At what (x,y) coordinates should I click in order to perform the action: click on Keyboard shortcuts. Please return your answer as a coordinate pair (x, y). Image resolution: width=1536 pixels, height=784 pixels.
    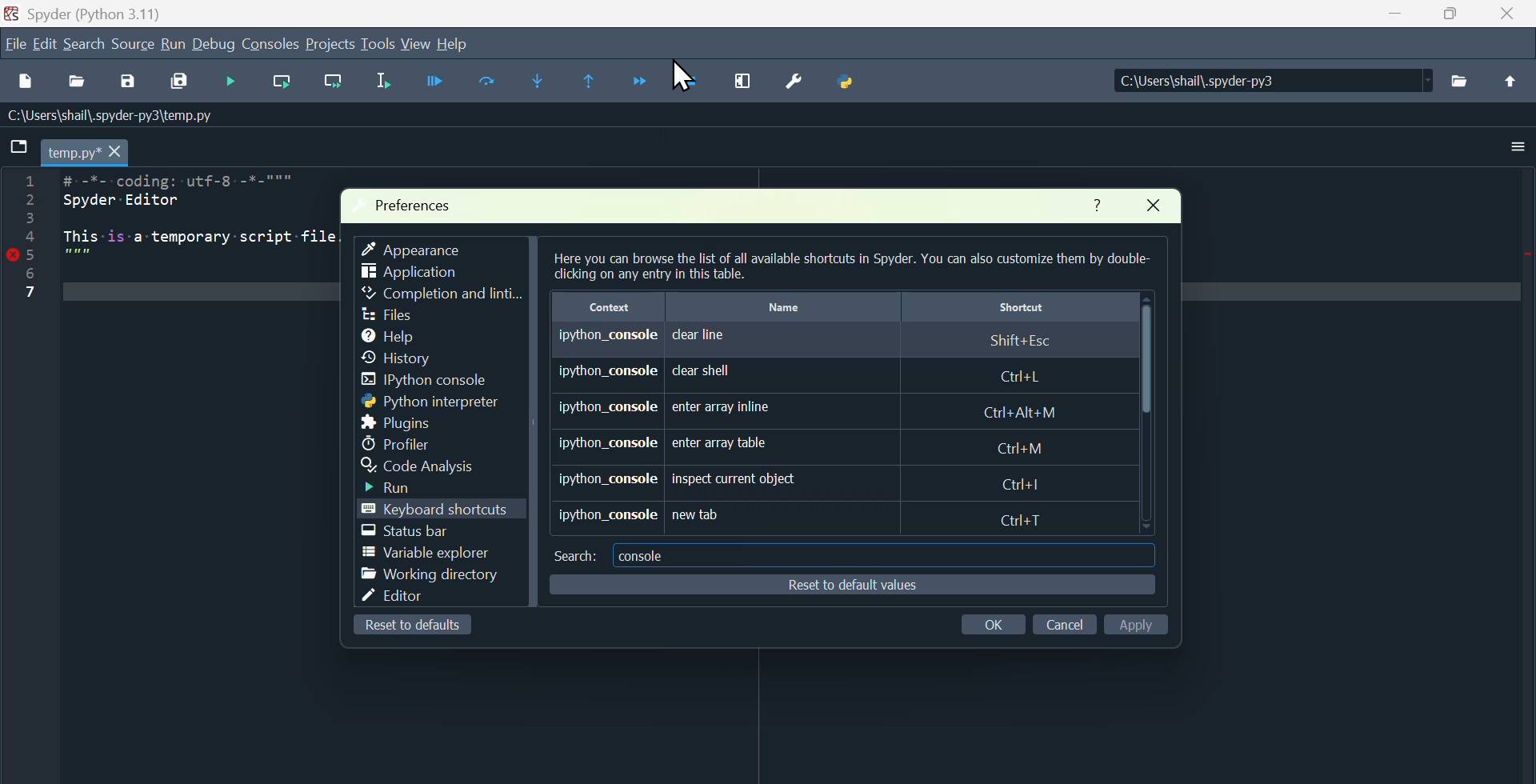
    Looking at the image, I should click on (450, 510).